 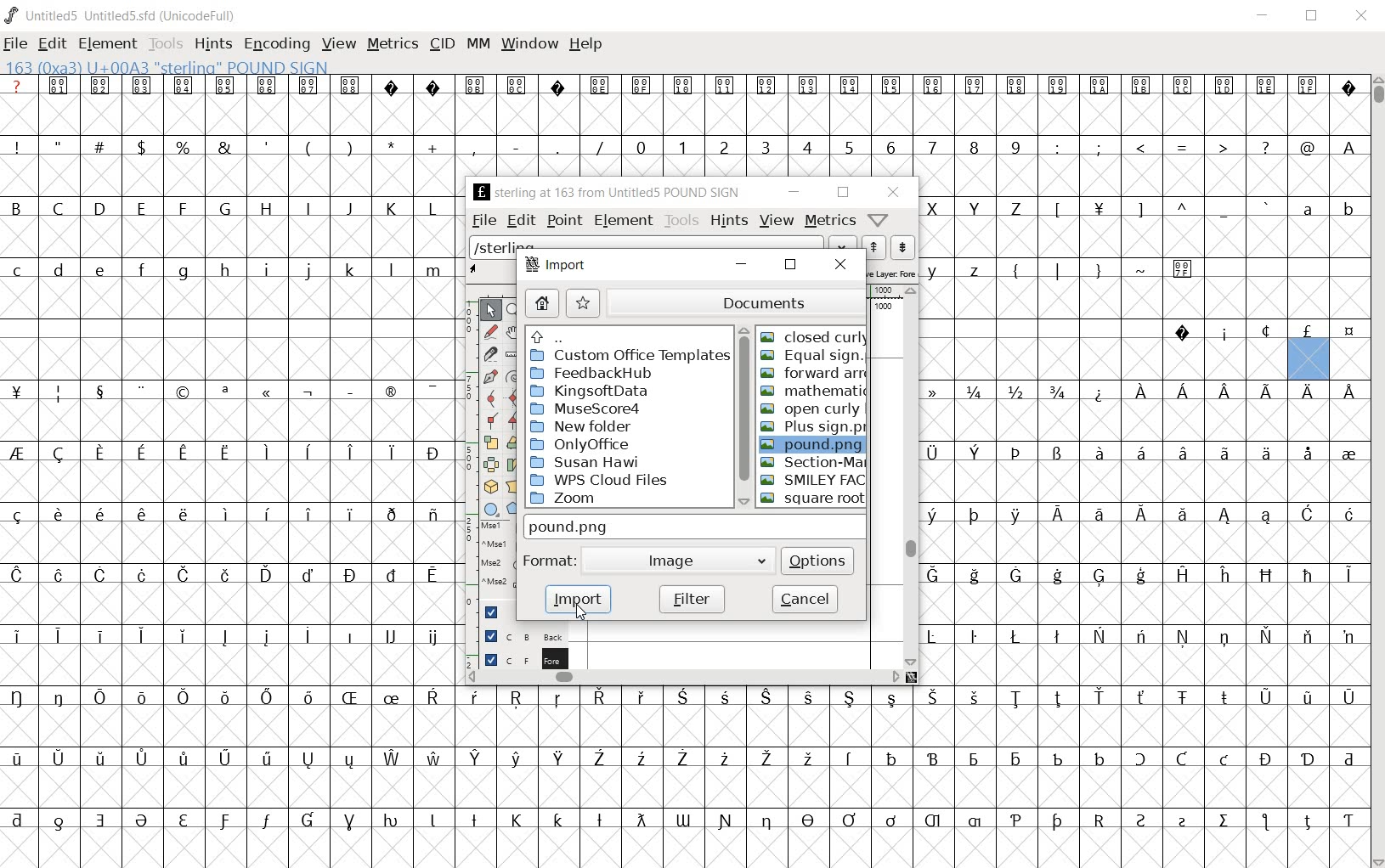 What do you see at coordinates (266, 576) in the screenshot?
I see `Symbol` at bounding box center [266, 576].